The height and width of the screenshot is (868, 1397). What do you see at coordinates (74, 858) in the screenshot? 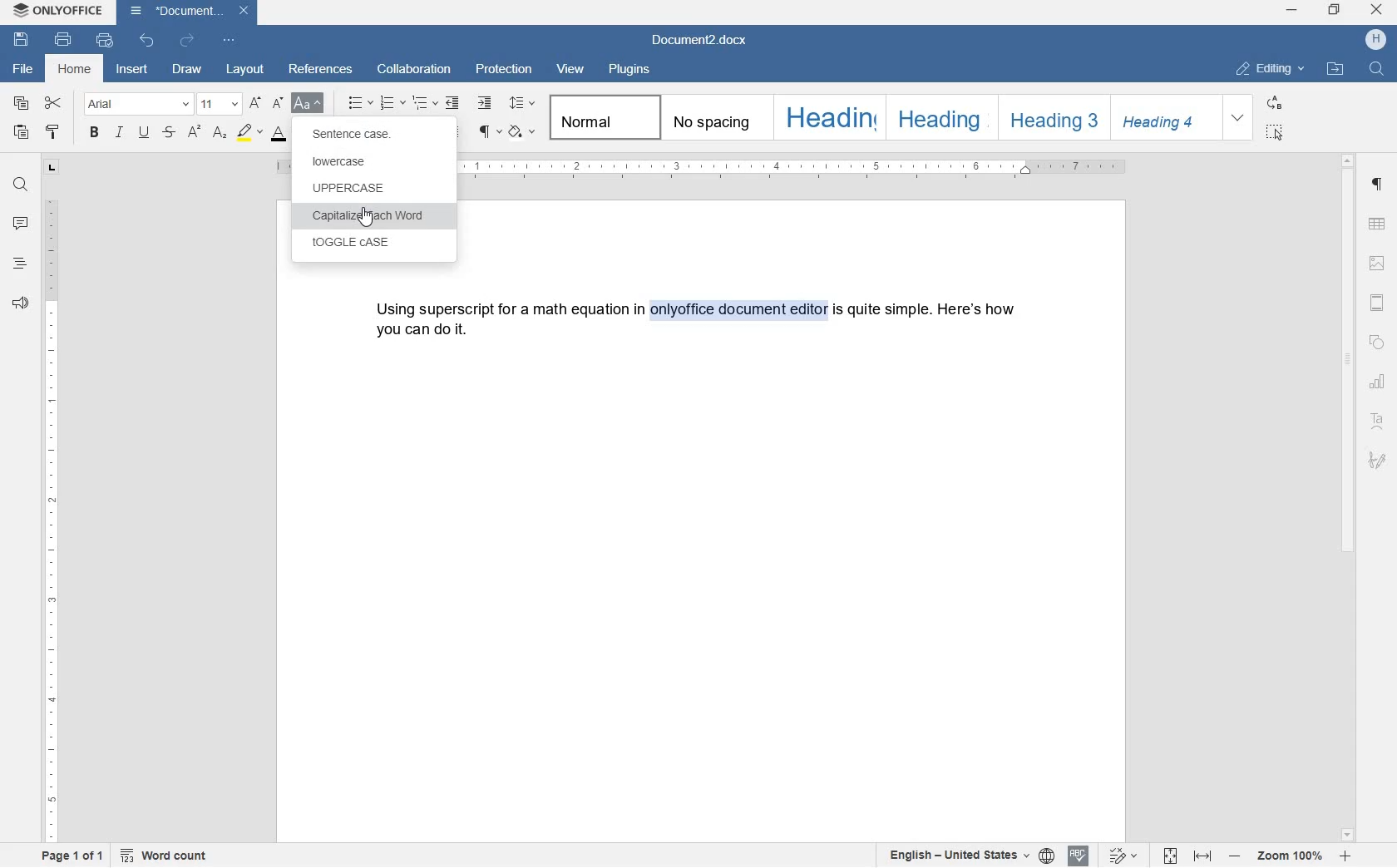
I see `page 1 of 1` at bounding box center [74, 858].